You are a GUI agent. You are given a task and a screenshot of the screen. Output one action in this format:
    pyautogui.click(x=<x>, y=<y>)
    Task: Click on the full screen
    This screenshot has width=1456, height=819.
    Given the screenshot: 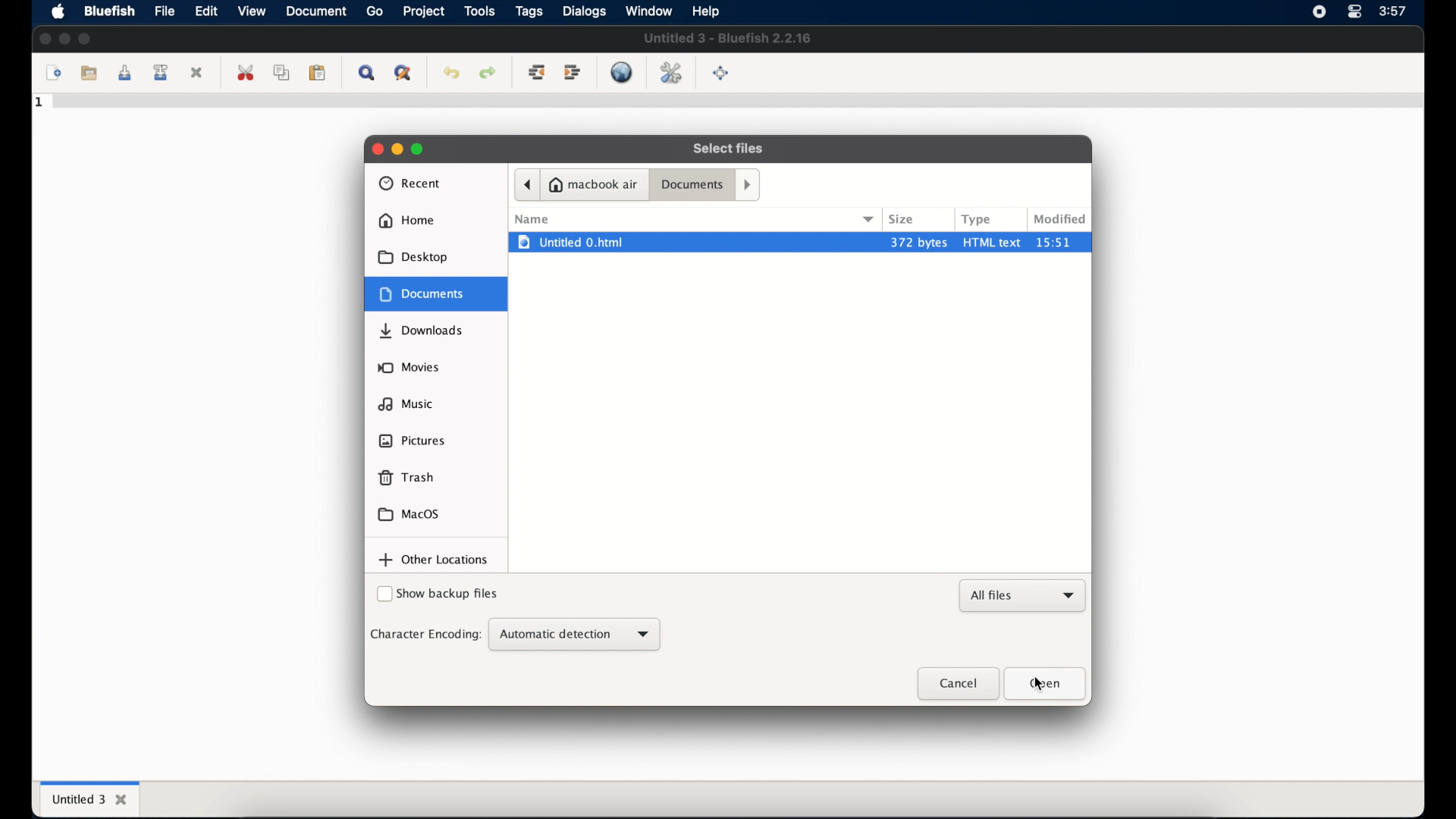 What is the action you would take?
    pyautogui.click(x=722, y=74)
    